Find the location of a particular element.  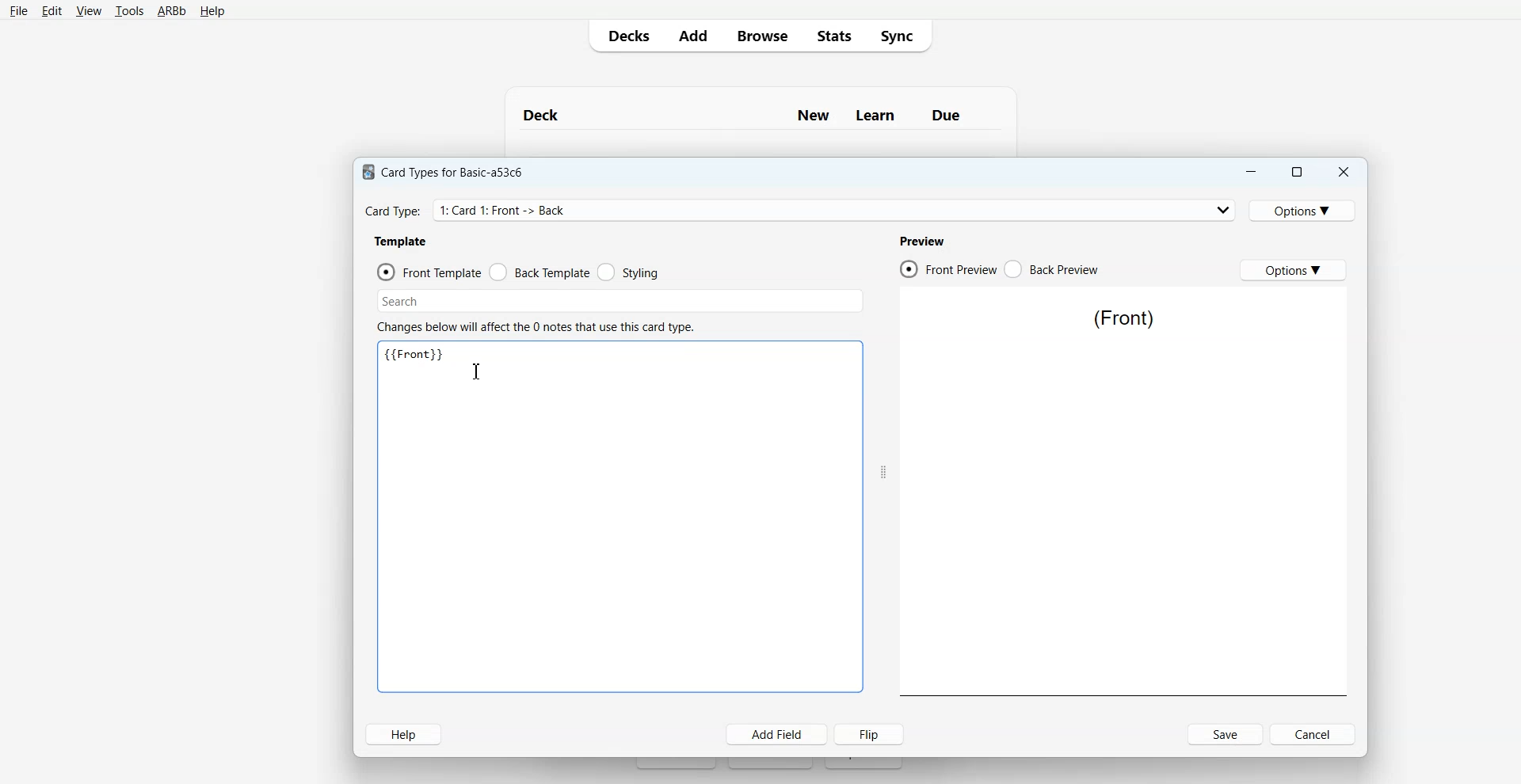

Styling is located at coordinates (630, 272).